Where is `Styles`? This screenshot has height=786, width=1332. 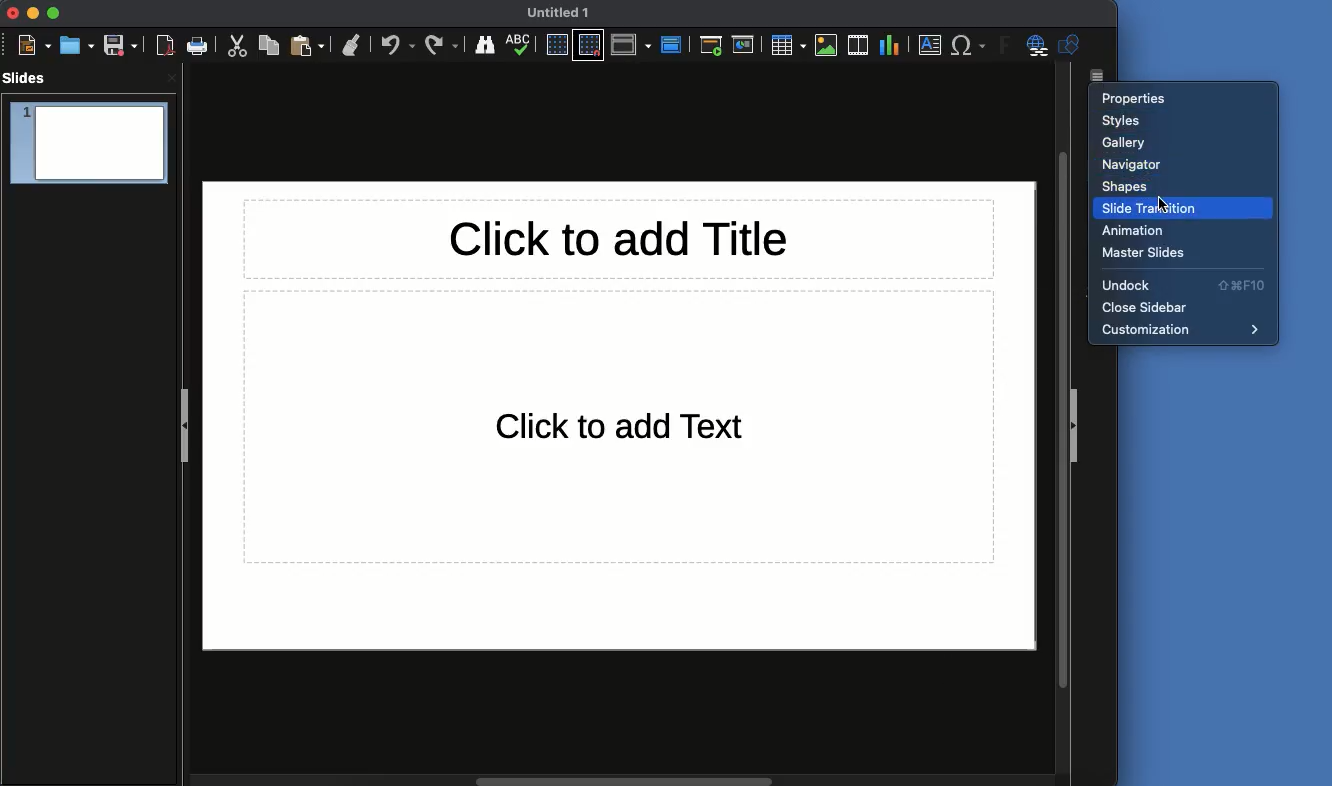 Styles is located at coordinates (1124, 122).